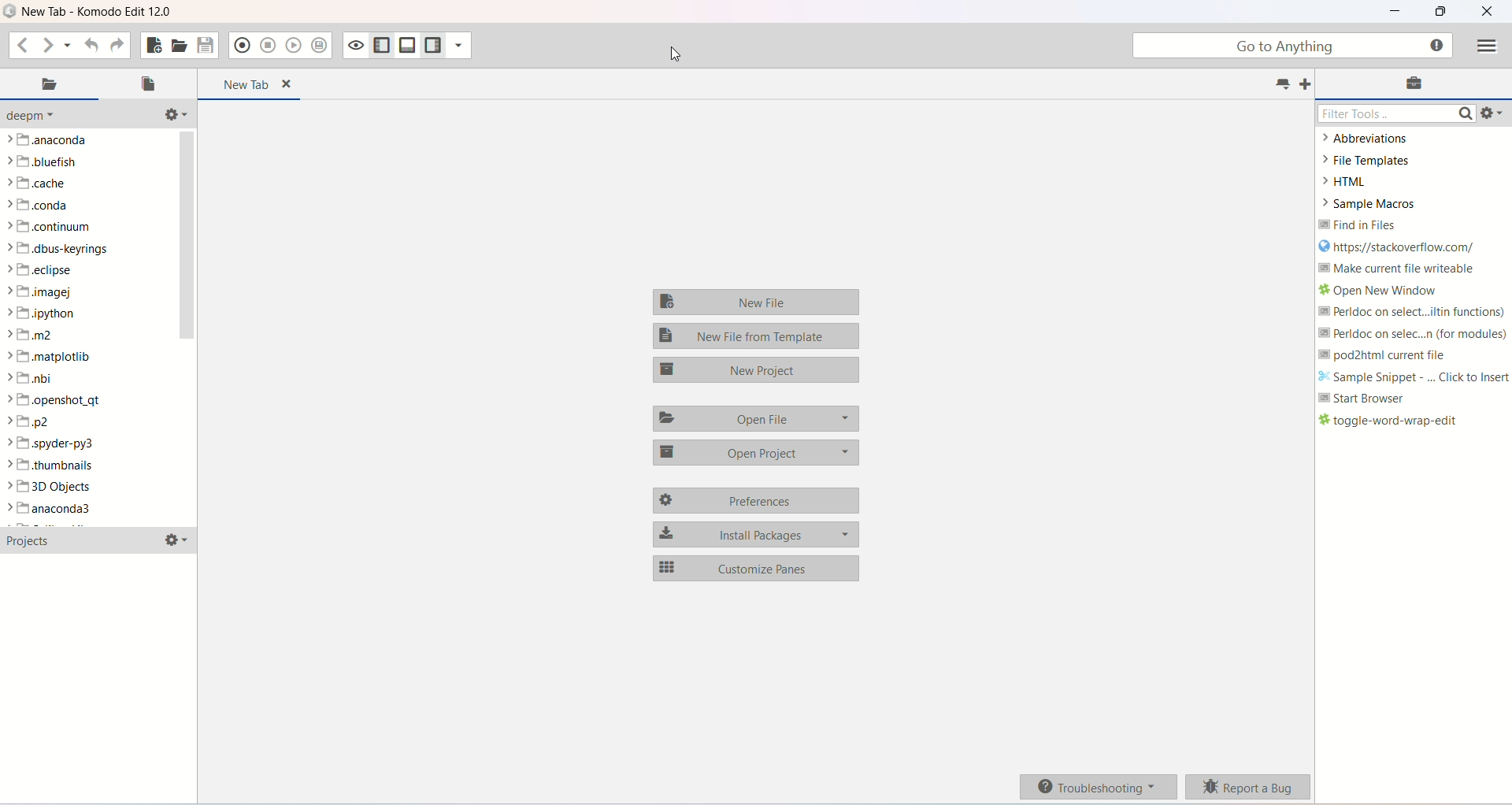  What do you see at coordinates (148, 86) in the screenshot?
I see `open file` at bounding box center [148, 86].